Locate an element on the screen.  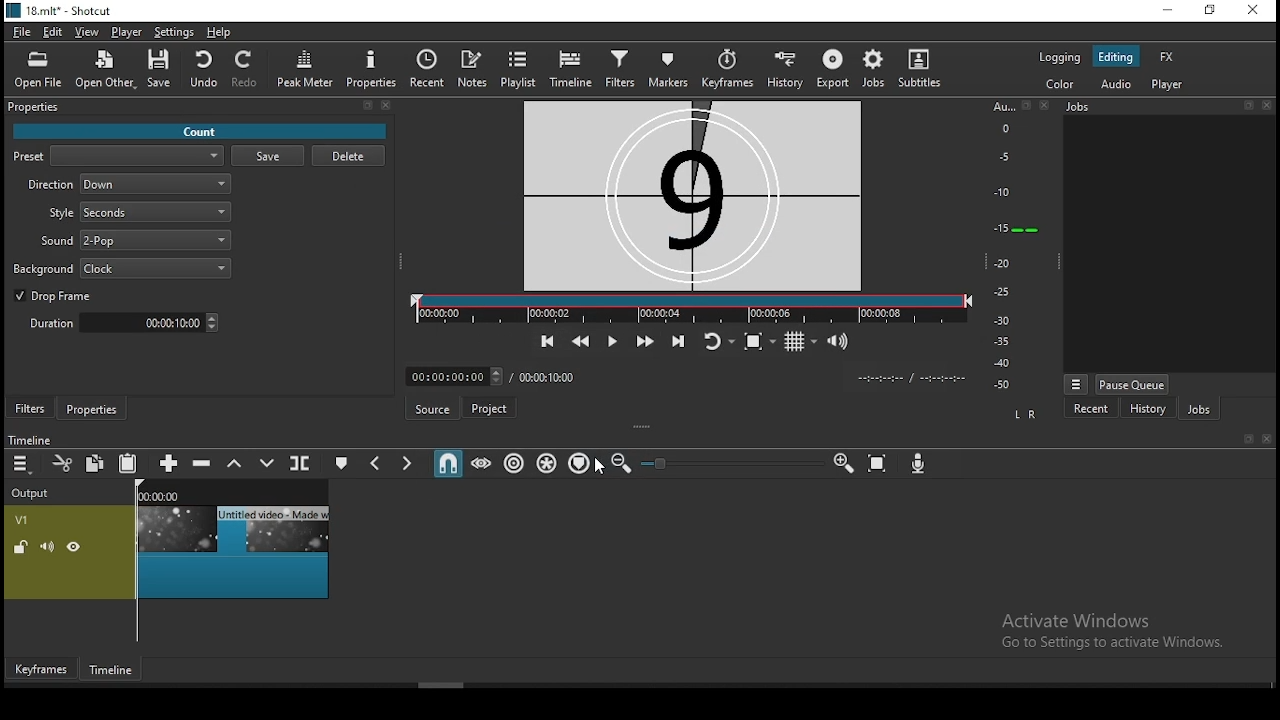
properties is located at coordinates (371, 70).